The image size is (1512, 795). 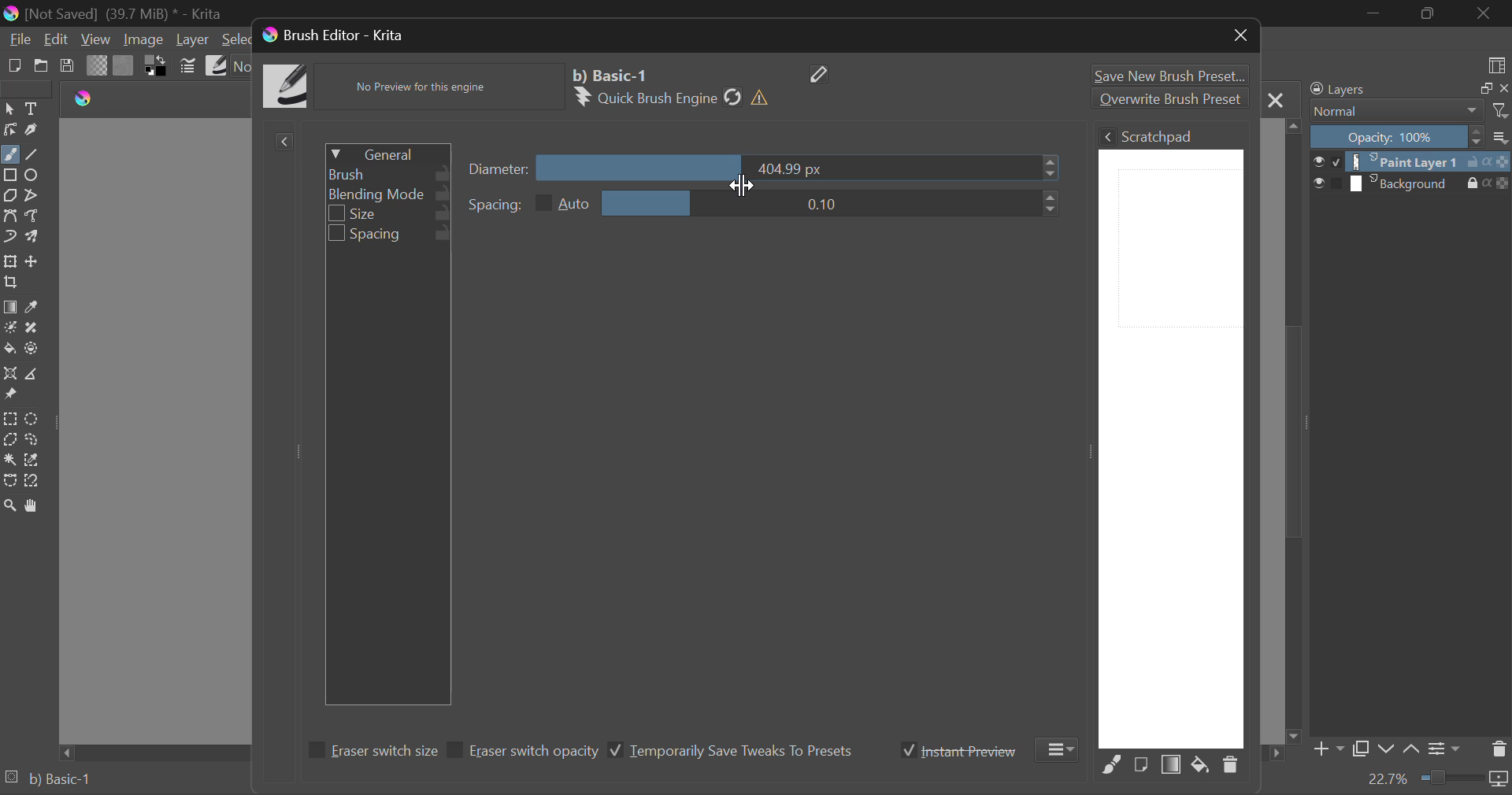 What do you see at coordinates (9, 349) in the screenshot?
I see `Fill` at bounding box center [9, 349].